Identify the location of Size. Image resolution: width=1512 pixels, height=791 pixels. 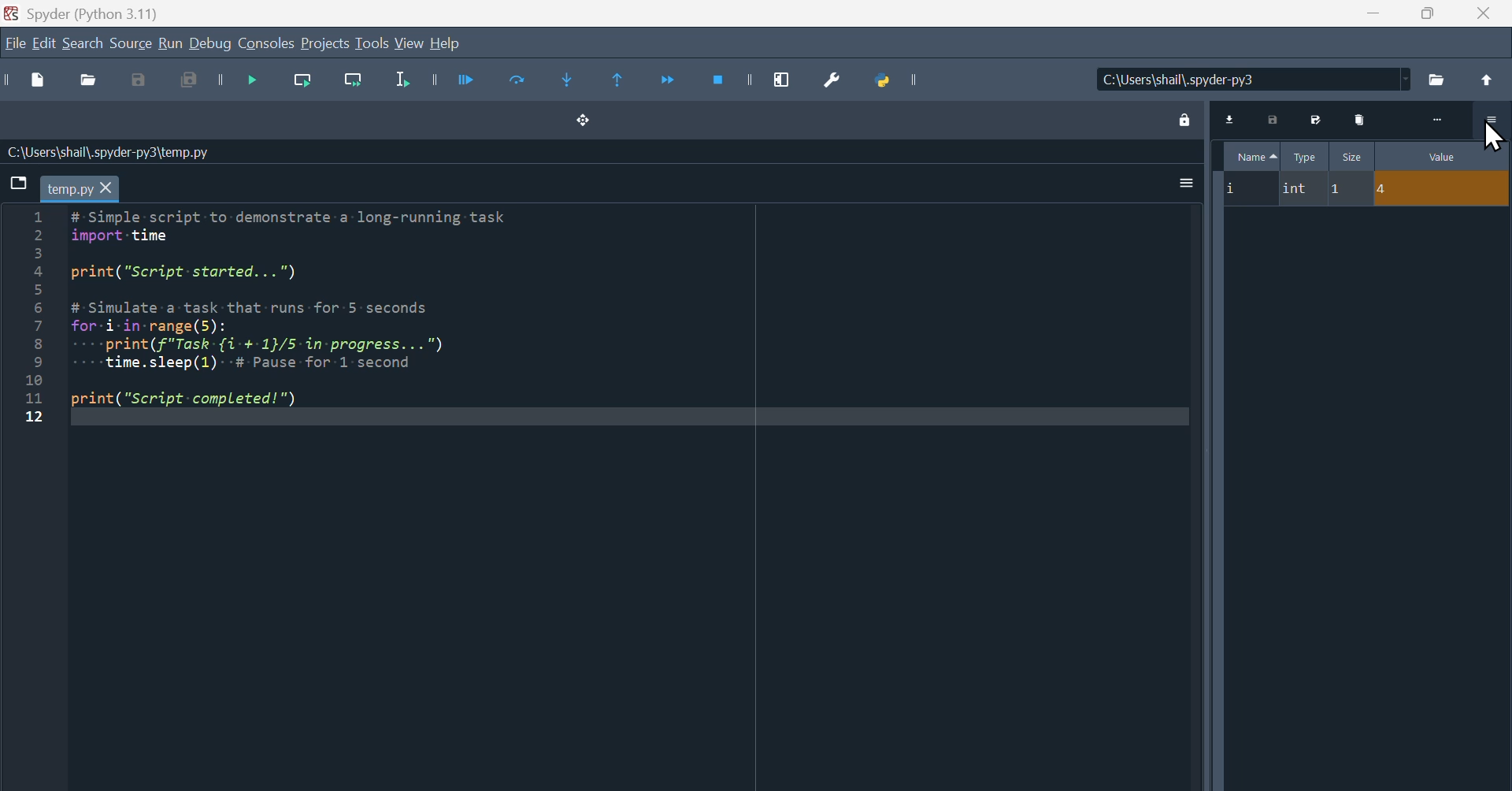
(1352, 156).